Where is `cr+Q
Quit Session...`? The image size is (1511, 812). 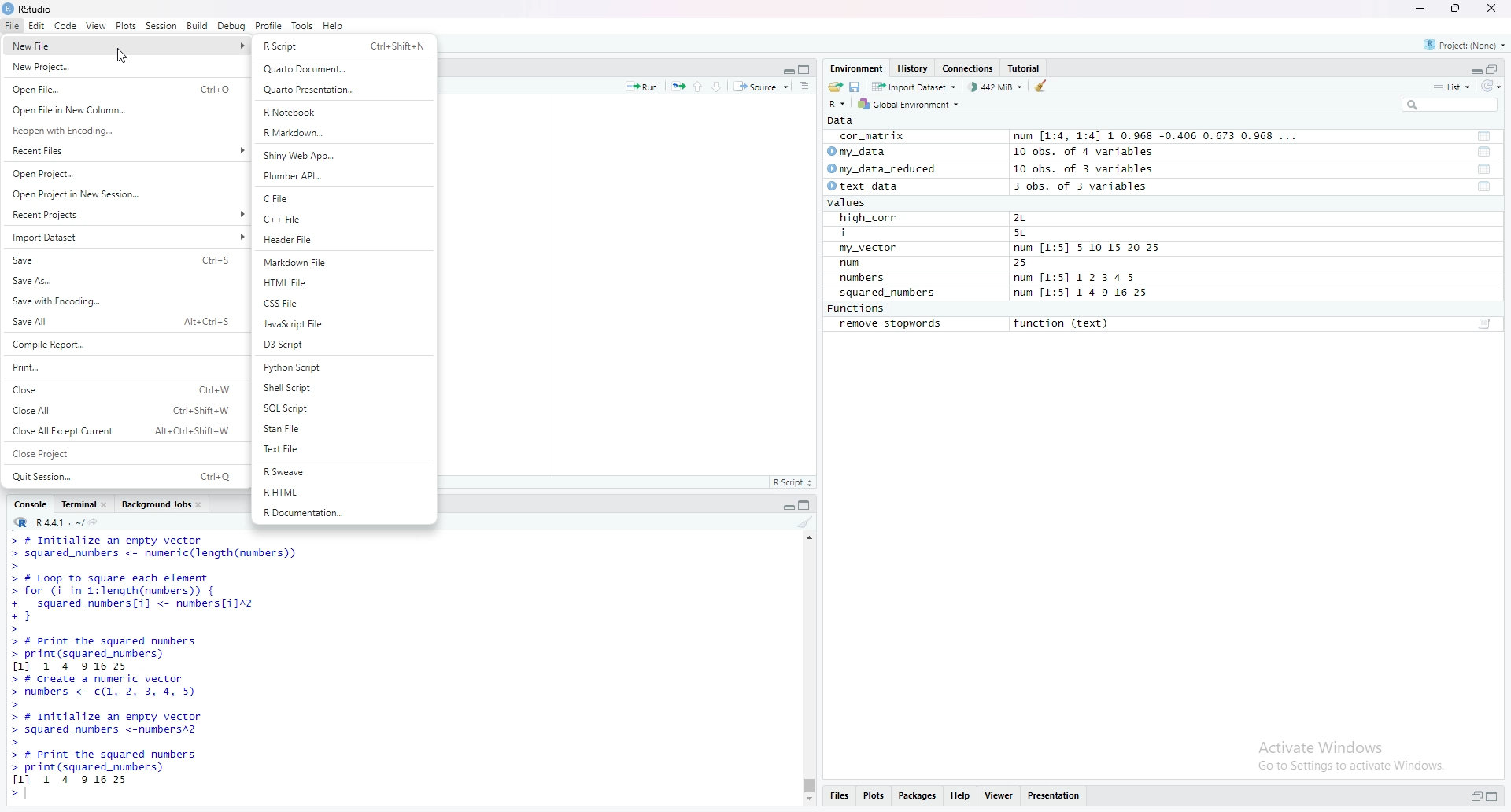 cr+Q
Quit Session... is located at coordinates (123, 474).